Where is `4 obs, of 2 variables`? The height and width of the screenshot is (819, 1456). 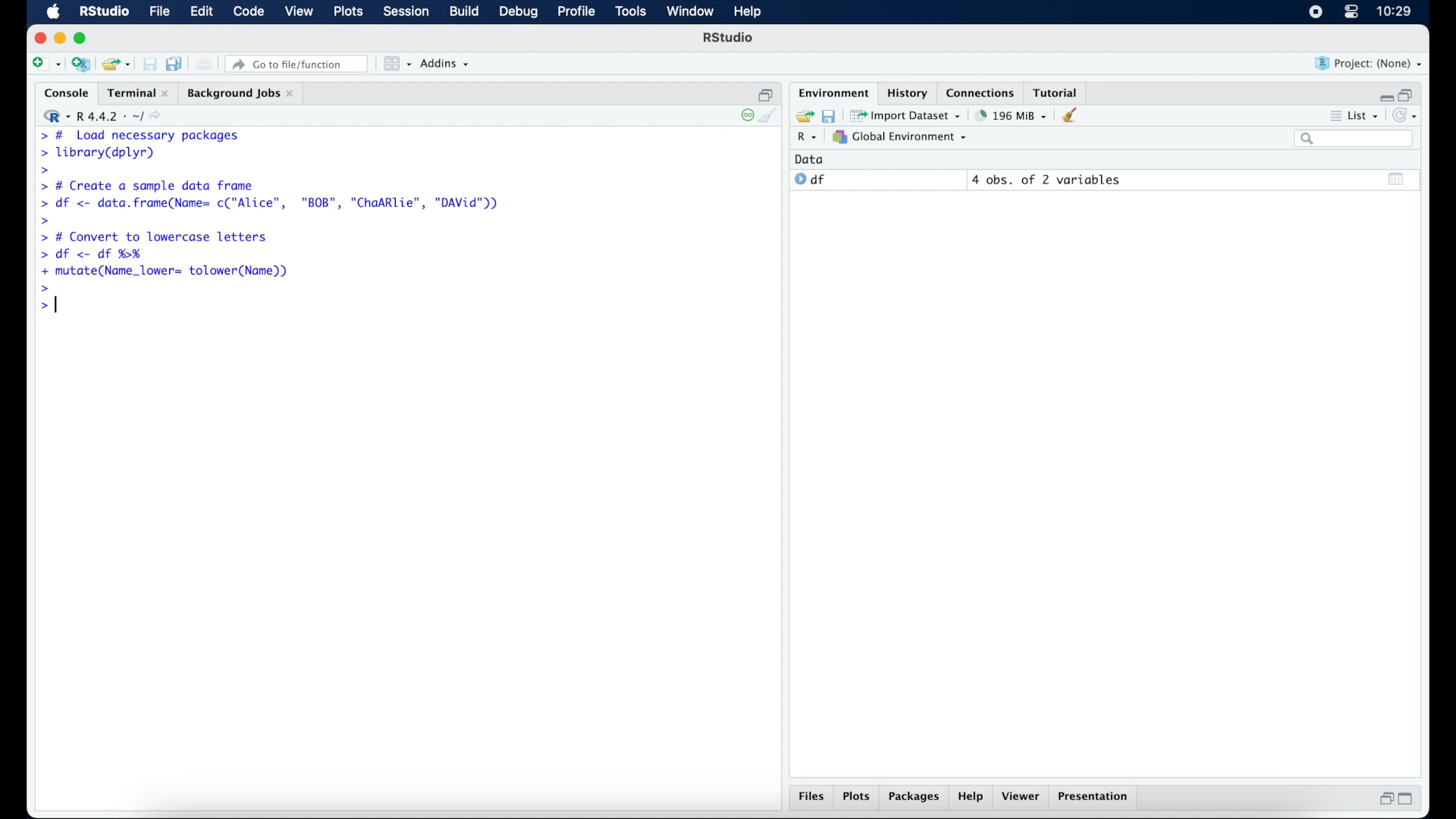 4 obs, of 2 variables is located at coordinates (1046, 180).